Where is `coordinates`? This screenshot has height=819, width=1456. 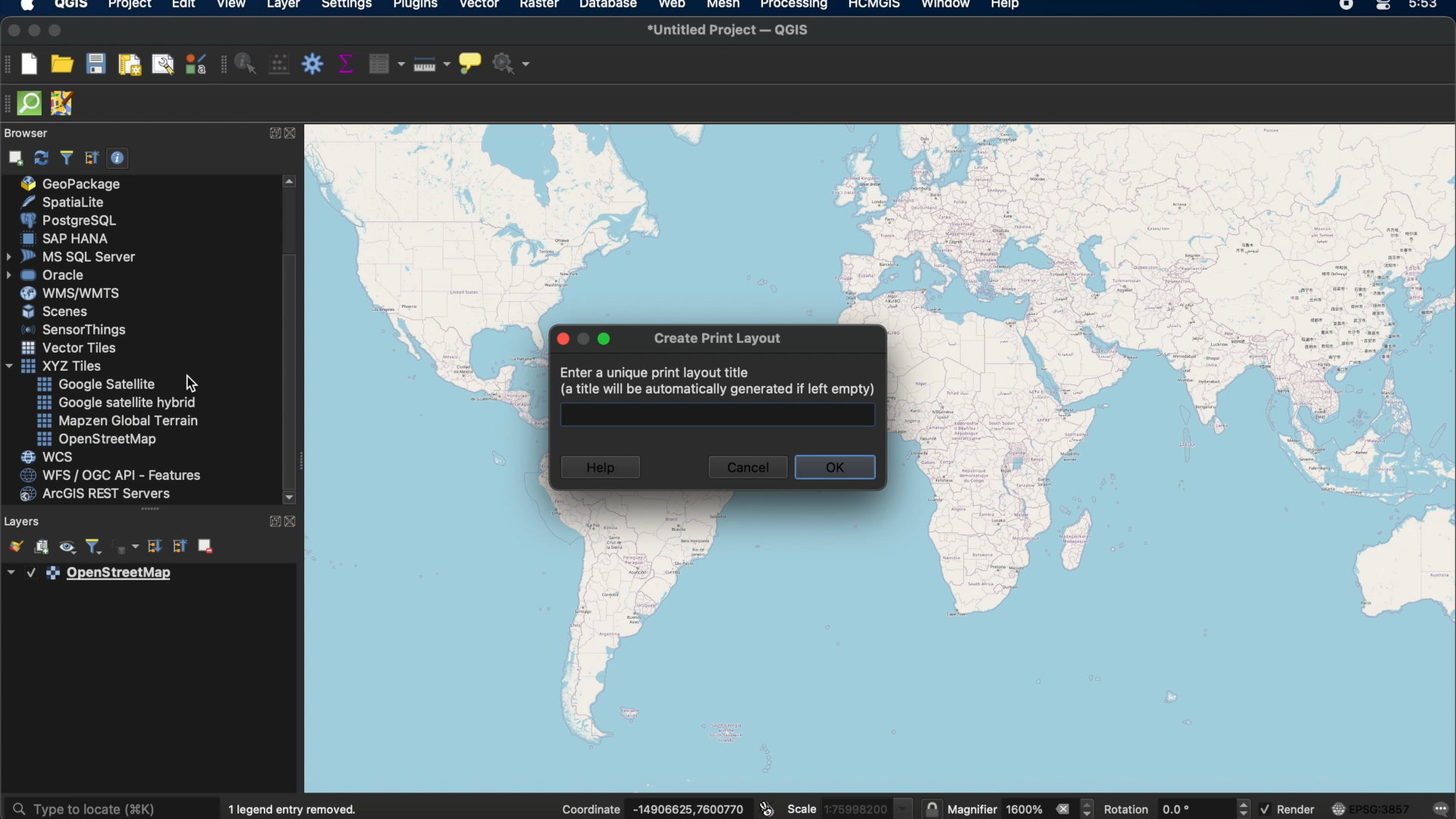
coordinates is located at coordinates (653, 807).